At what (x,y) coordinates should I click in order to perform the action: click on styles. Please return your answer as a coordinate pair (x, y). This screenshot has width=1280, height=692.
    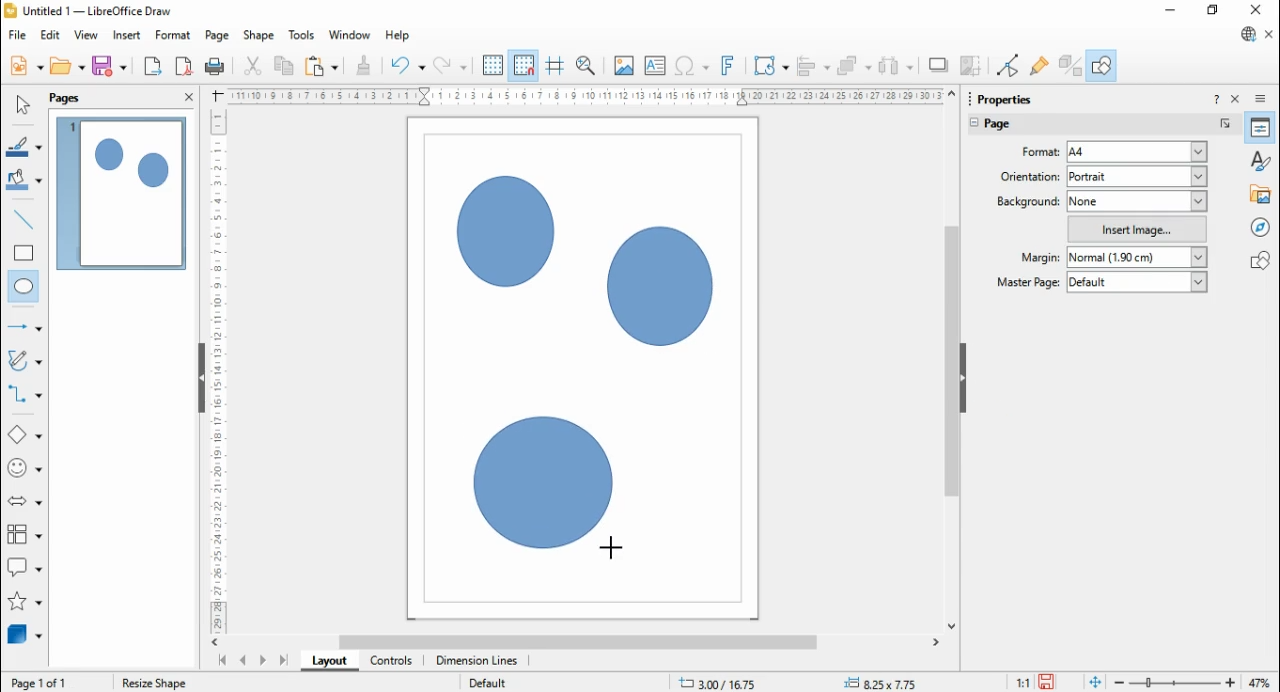
    Looking at the image, I should click on (1262, 159).